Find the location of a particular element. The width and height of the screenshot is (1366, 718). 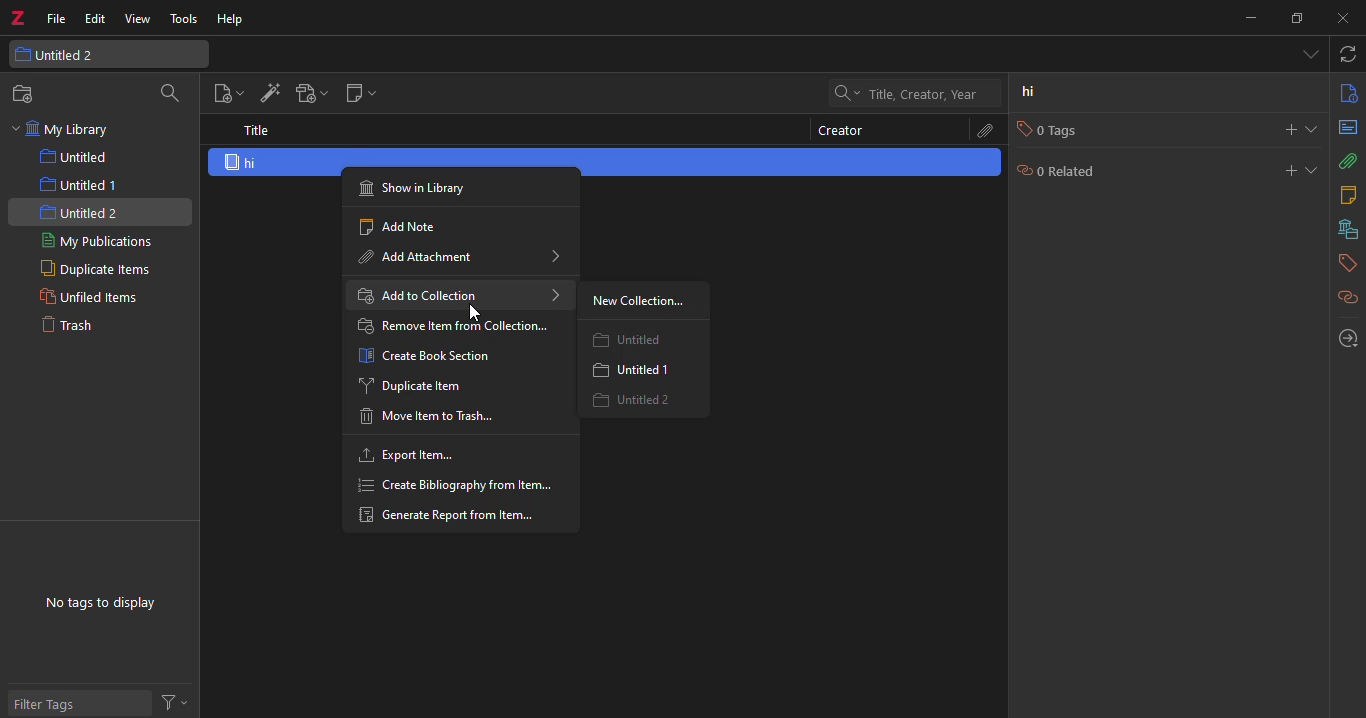

info is located at coordinates (1344, 94).